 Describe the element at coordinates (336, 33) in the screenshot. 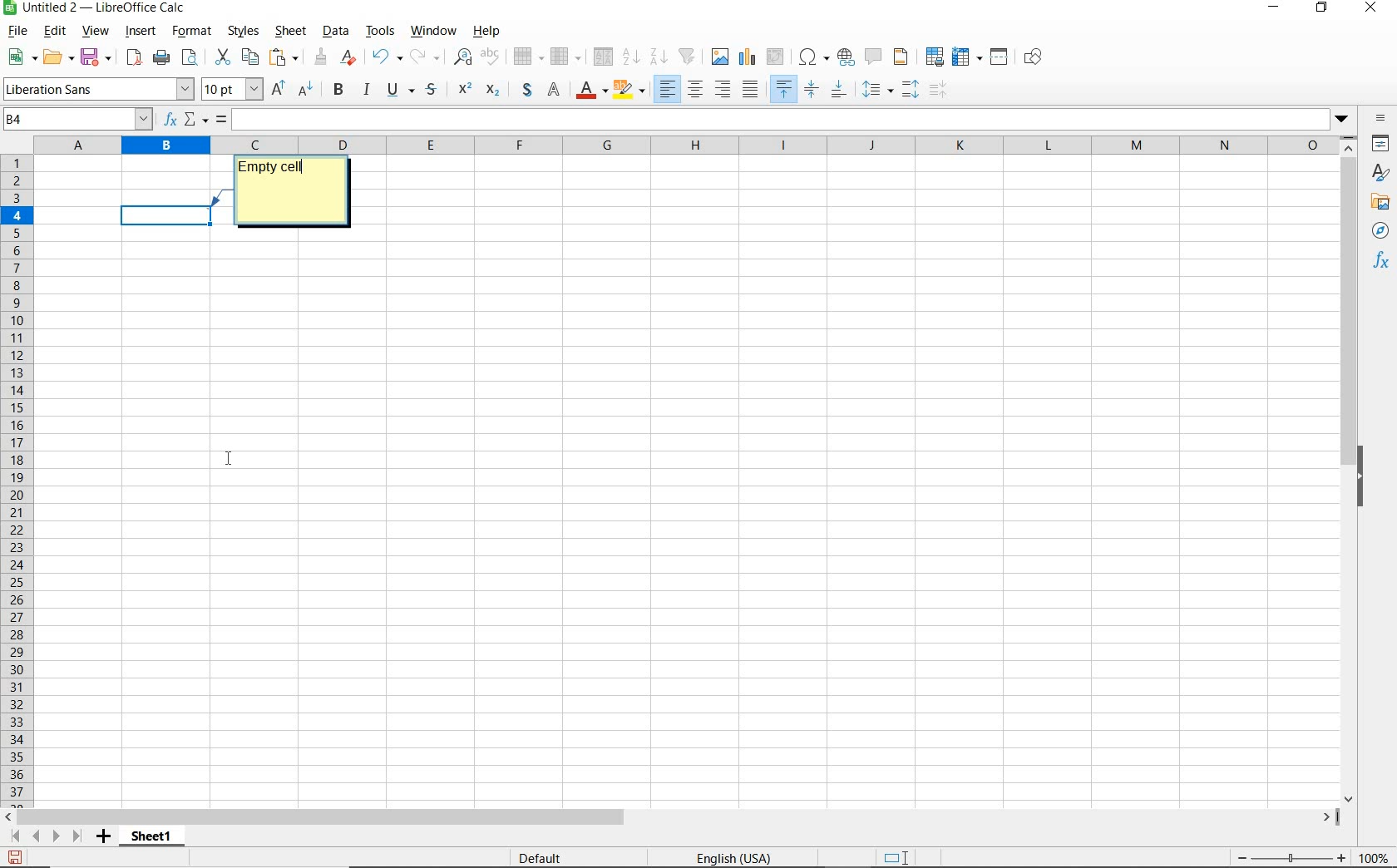

I see `data` at that location.